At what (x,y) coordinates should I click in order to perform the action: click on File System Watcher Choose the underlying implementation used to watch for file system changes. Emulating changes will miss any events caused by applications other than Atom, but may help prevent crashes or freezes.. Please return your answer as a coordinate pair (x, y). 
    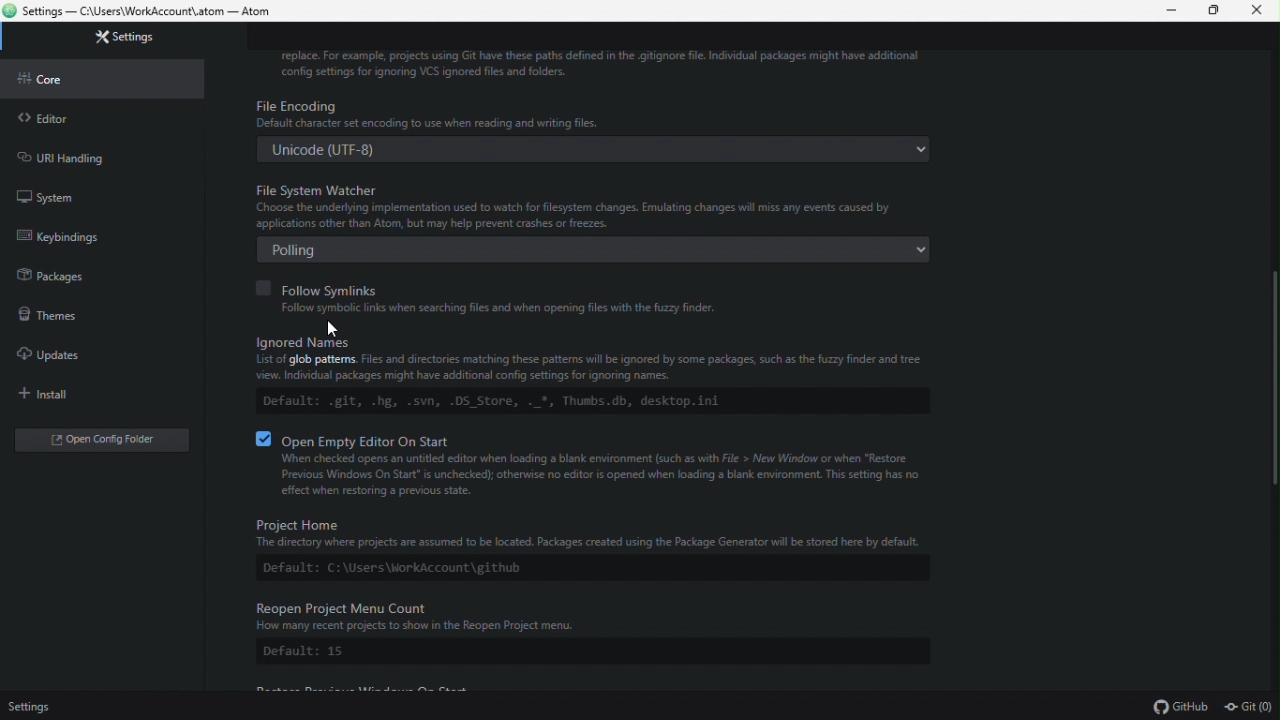
    Looking at the image, I should click on (591, 206).